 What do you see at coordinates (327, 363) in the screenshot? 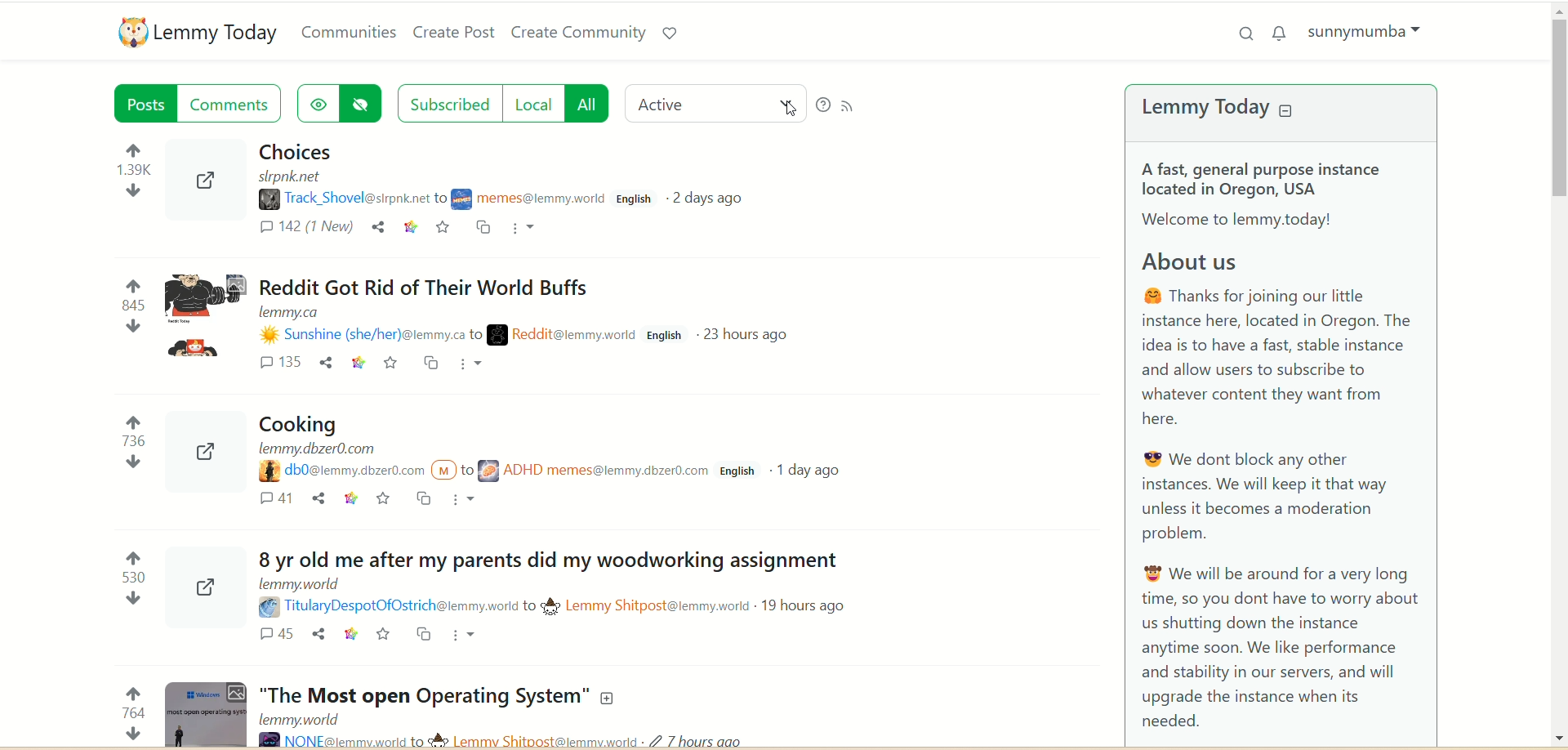
I see `Share` at bounding box center [327, 363].